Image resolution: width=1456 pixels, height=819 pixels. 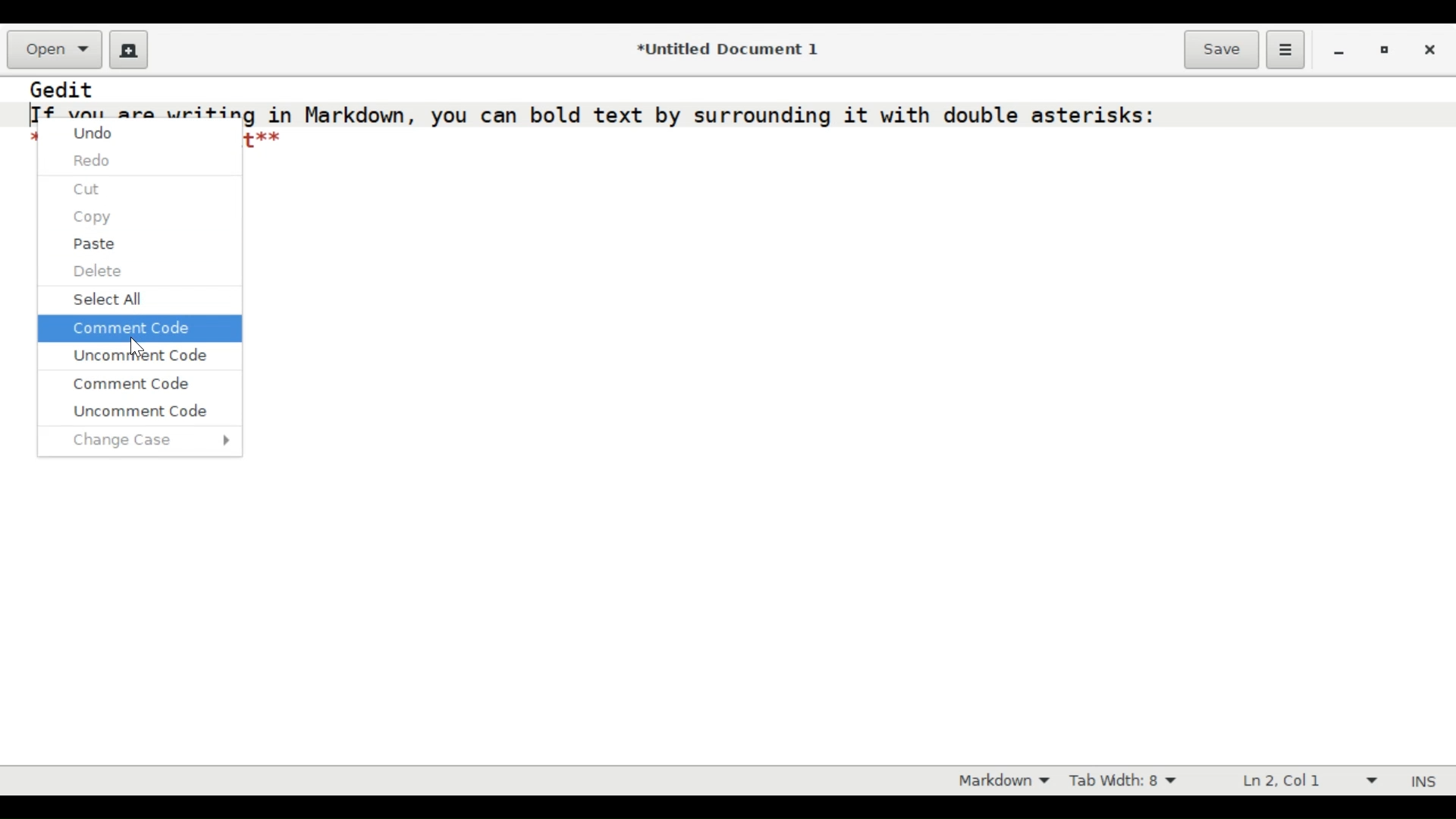 What do you see at coordinates (95, 162) in the screenshot?
I see `Redo` at bounding box center [95, 162].